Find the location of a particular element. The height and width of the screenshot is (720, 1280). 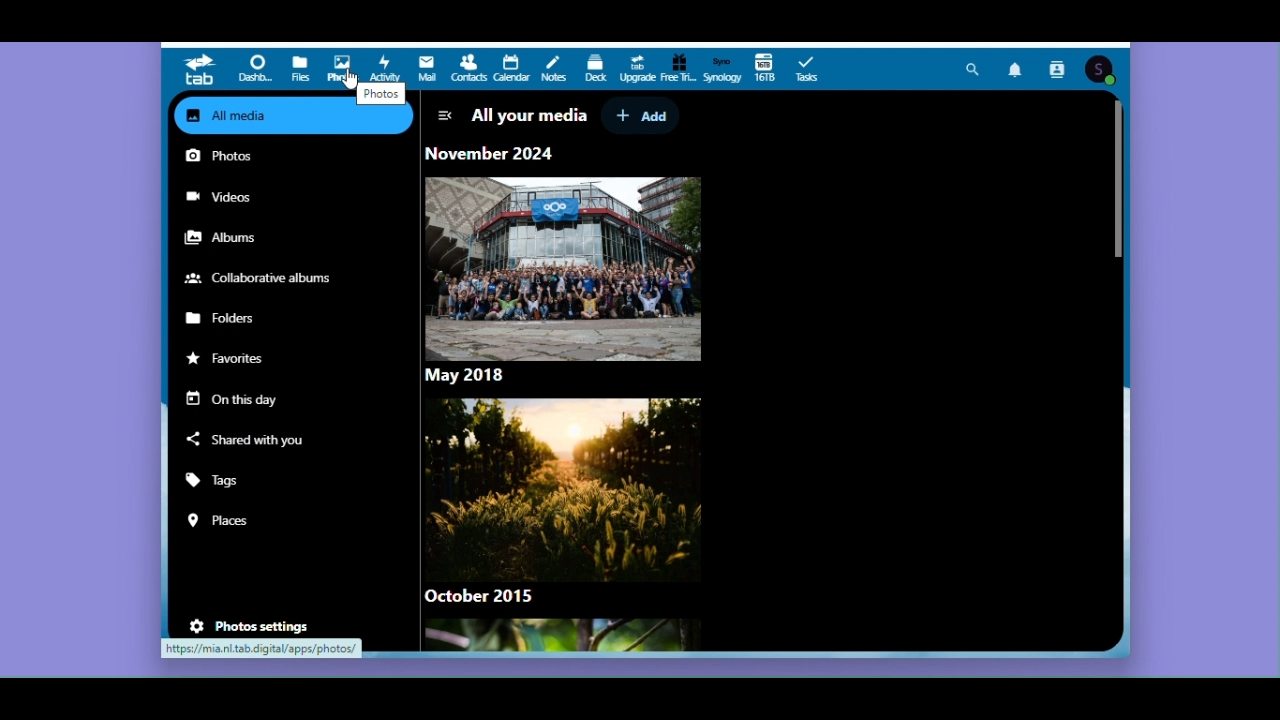

Albums is located at coordinates (229, 239).